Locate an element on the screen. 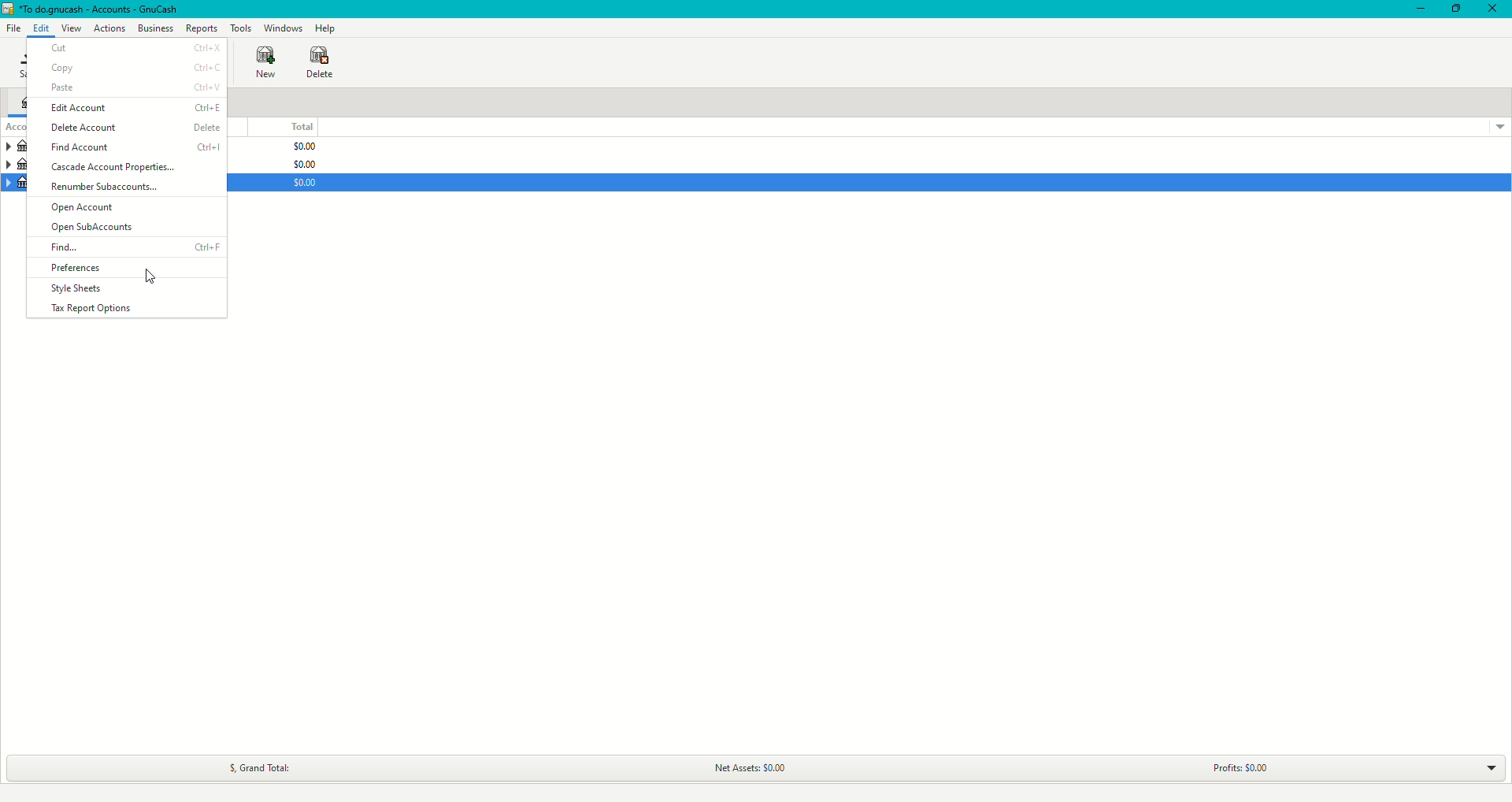 Image resolution: width=1512 pixels, height=802 pixels. $0 is located at coordinates (298, 169).